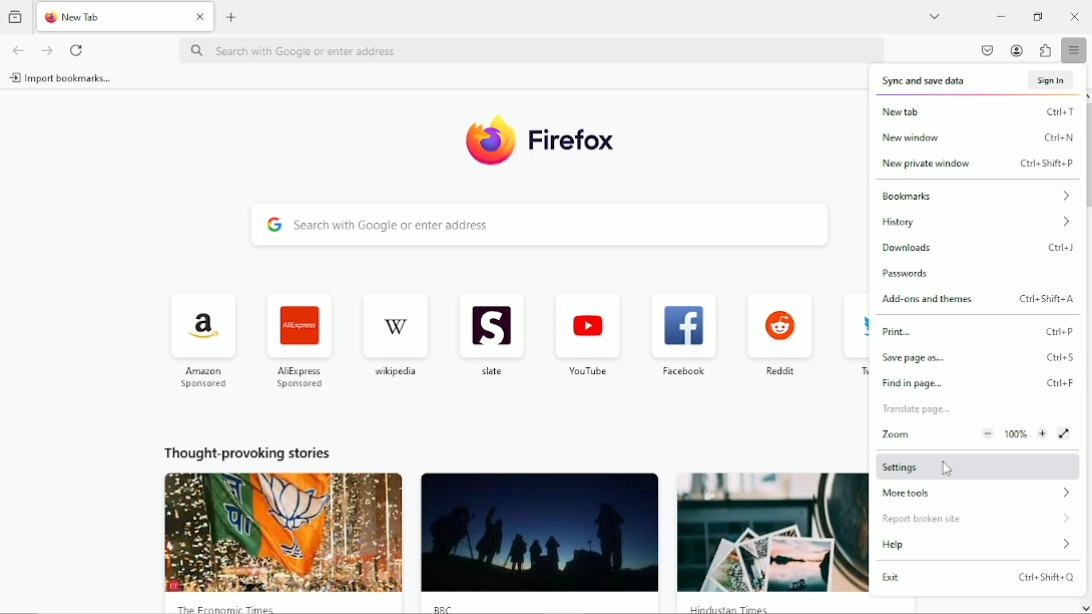 This screenshot has height=614, width=1092. What do you see at coordinates (530, 52) in the screenshot?
I see `search bar` at bounding box center [530, 52].